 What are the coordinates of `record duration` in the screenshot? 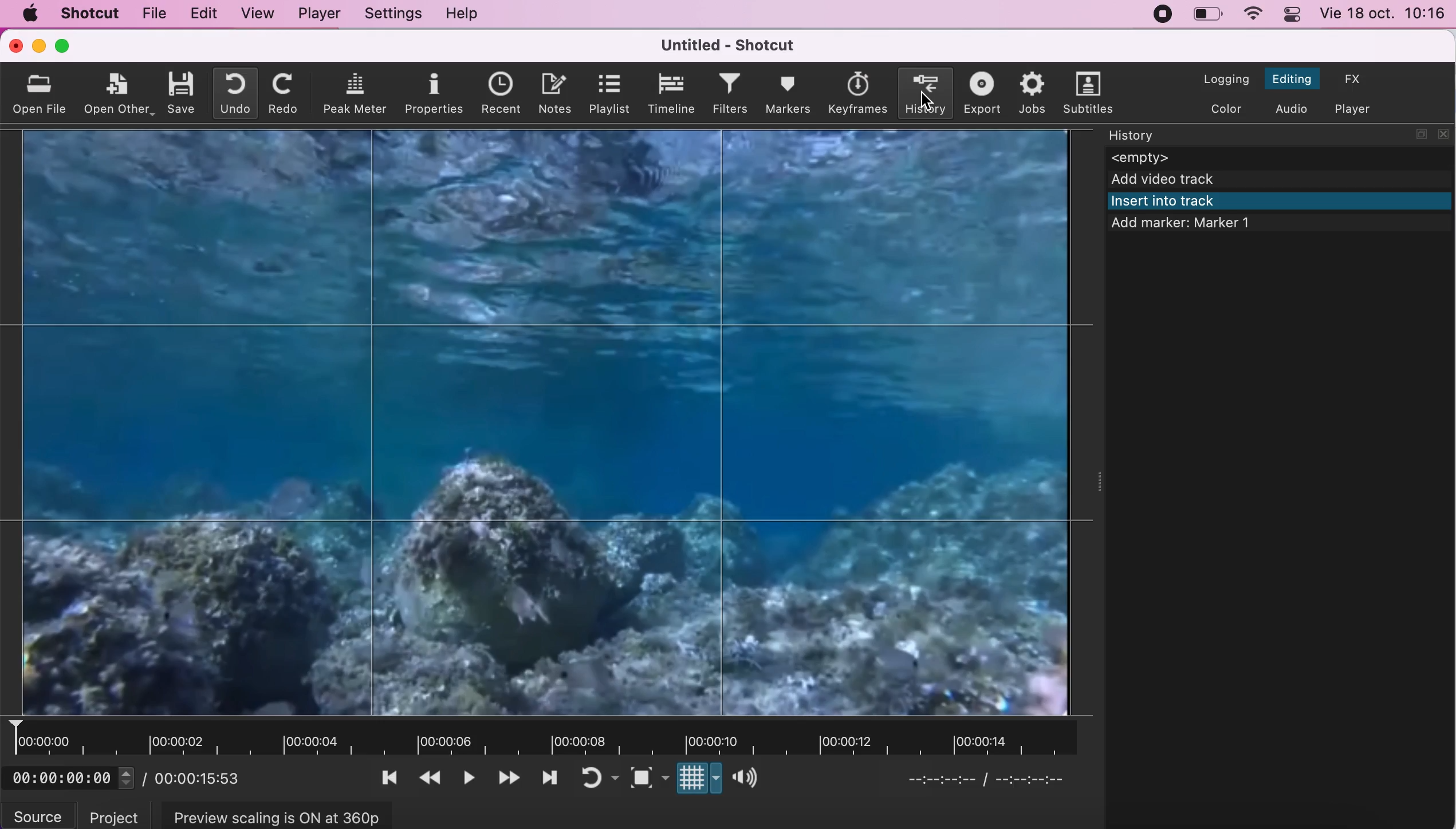 It's located at (561, 737).